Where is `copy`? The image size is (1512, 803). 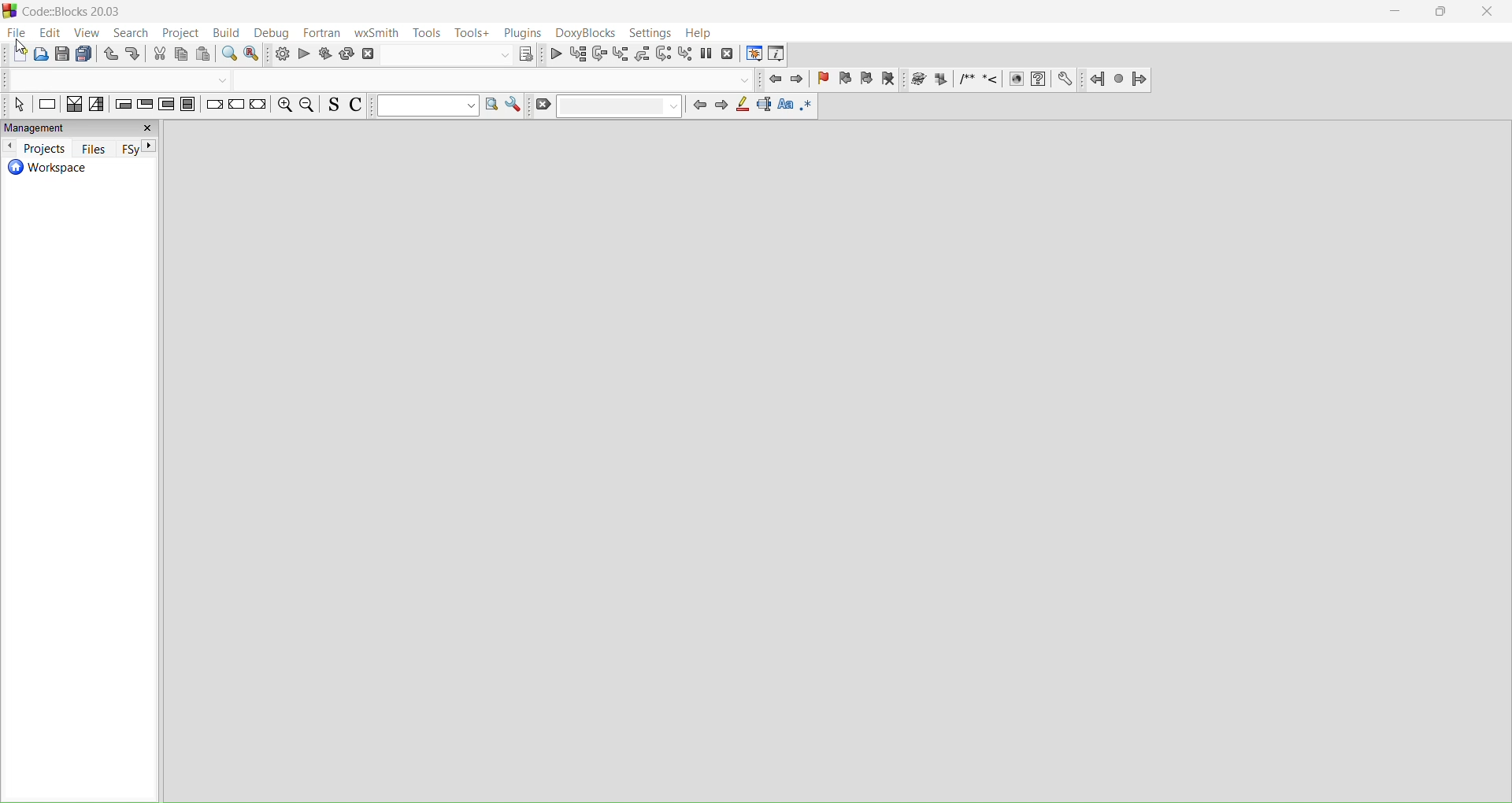
copy is located at coordinates (63, 54).